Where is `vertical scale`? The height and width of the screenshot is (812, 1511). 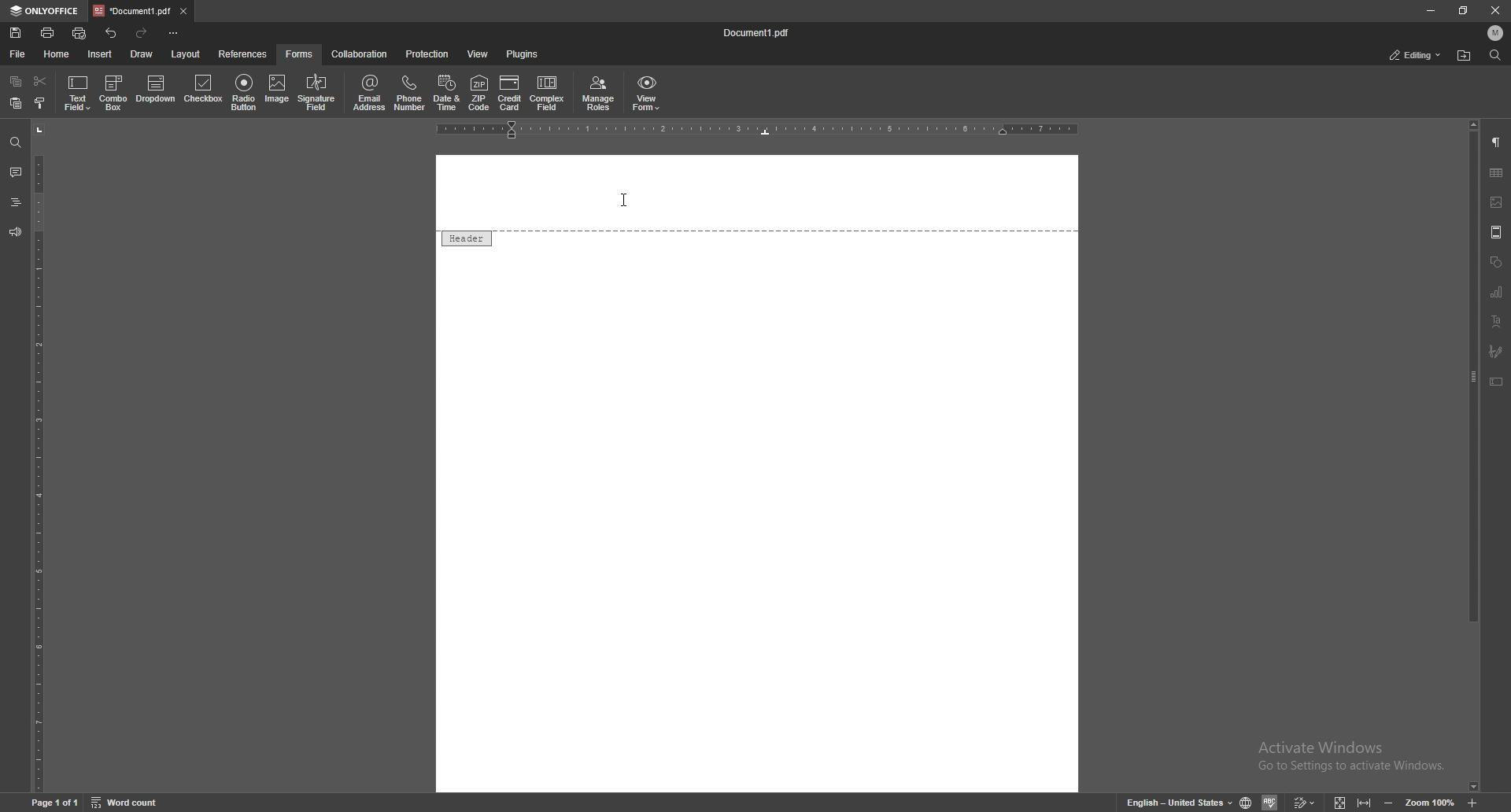 vertical scale is located at coordinates (36, 459).